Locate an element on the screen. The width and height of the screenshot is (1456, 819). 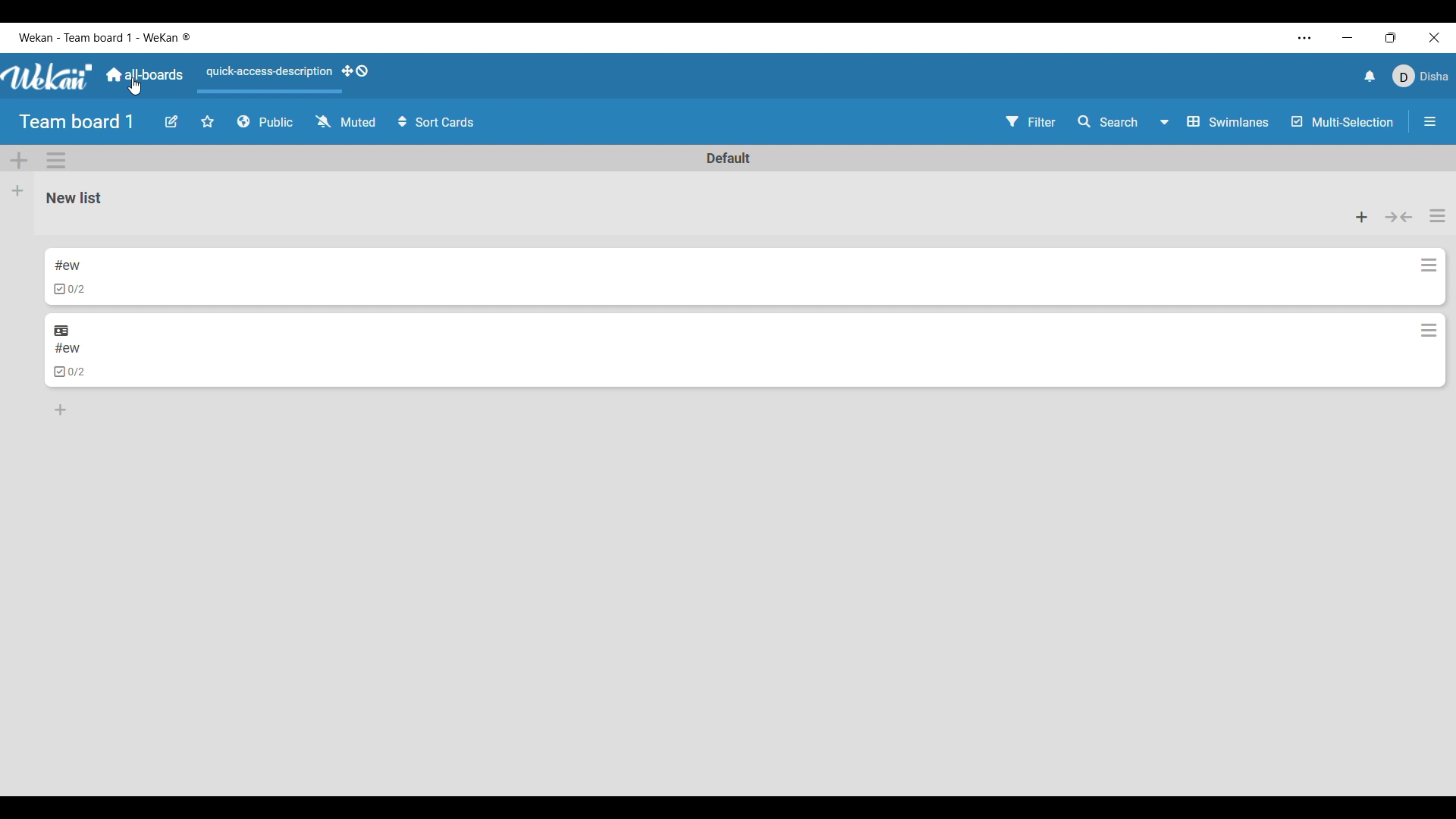
Current account  is located at coordinates (1420, 77).